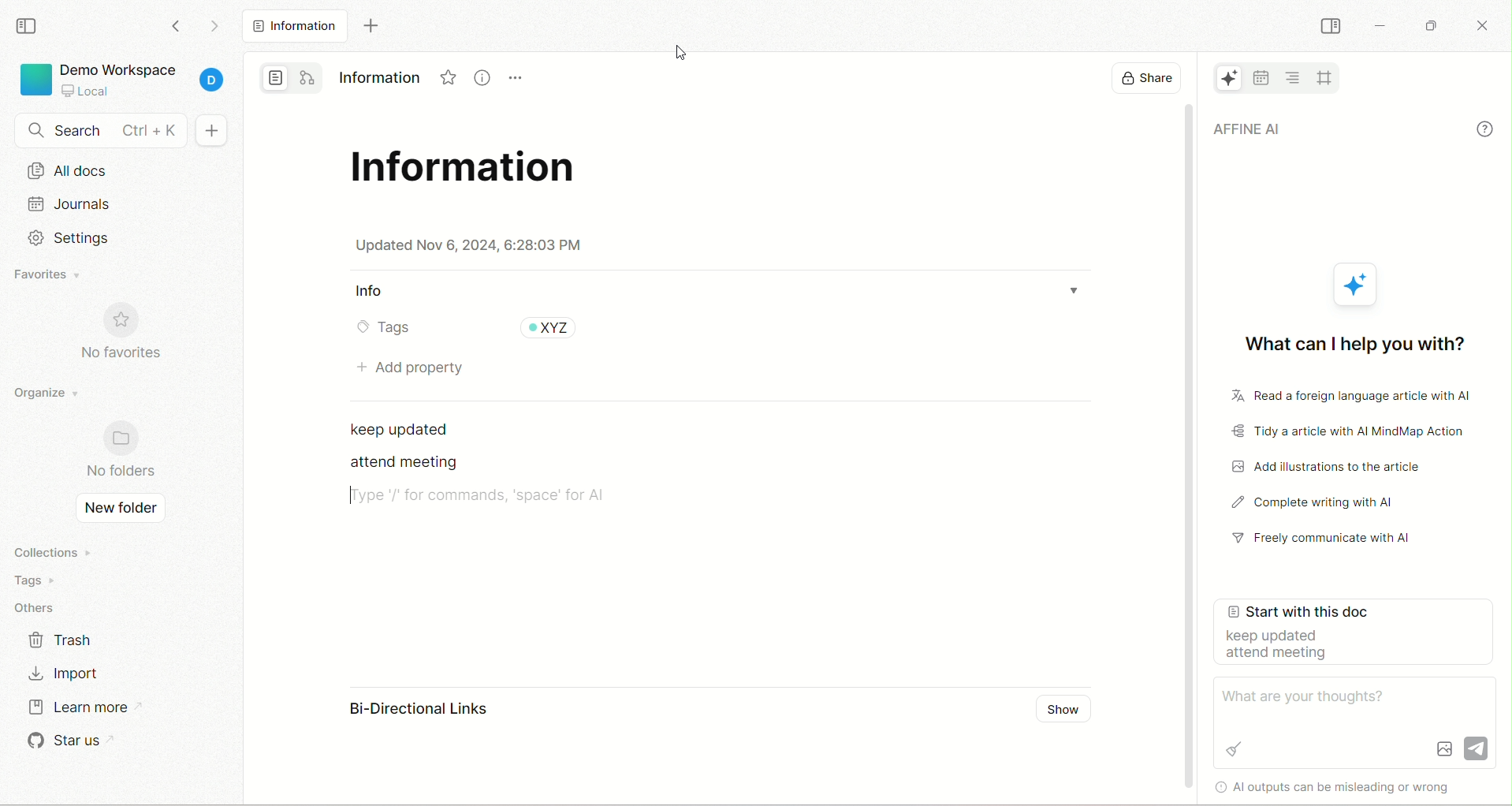 The width and height of the screenshot is (1512, 806). Describe the element at coordinates (1346, 786) in the screenshot. I see `AI outputs can be misleading or wrong` at that location.